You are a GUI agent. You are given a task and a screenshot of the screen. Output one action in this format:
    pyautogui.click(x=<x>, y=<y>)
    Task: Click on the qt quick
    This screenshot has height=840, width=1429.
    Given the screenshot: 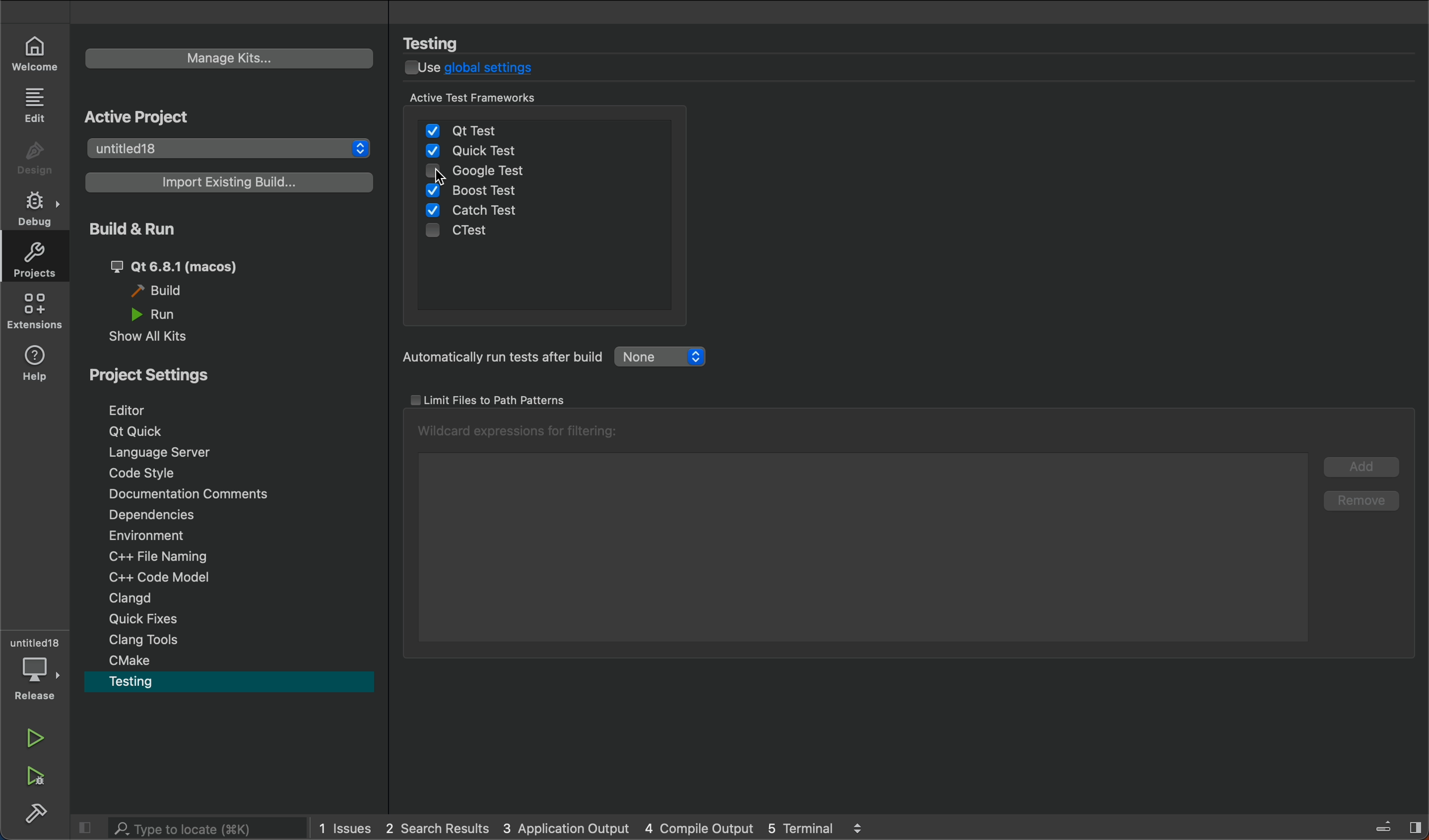 What is the action you would take?
    pyautogui.click(x=223, y=432)
    